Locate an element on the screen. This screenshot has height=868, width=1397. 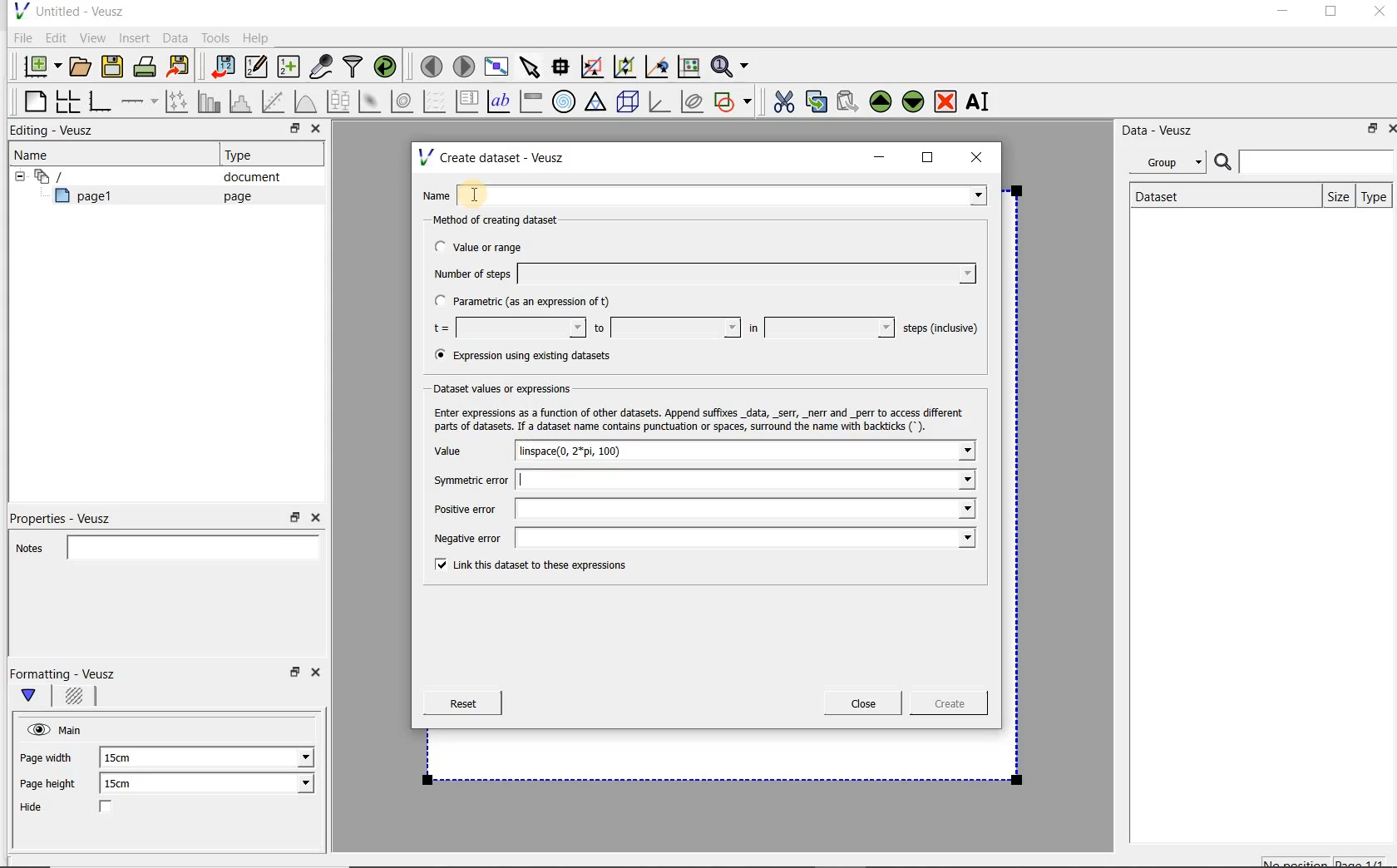
Hide is located at coordinates (82, 808).